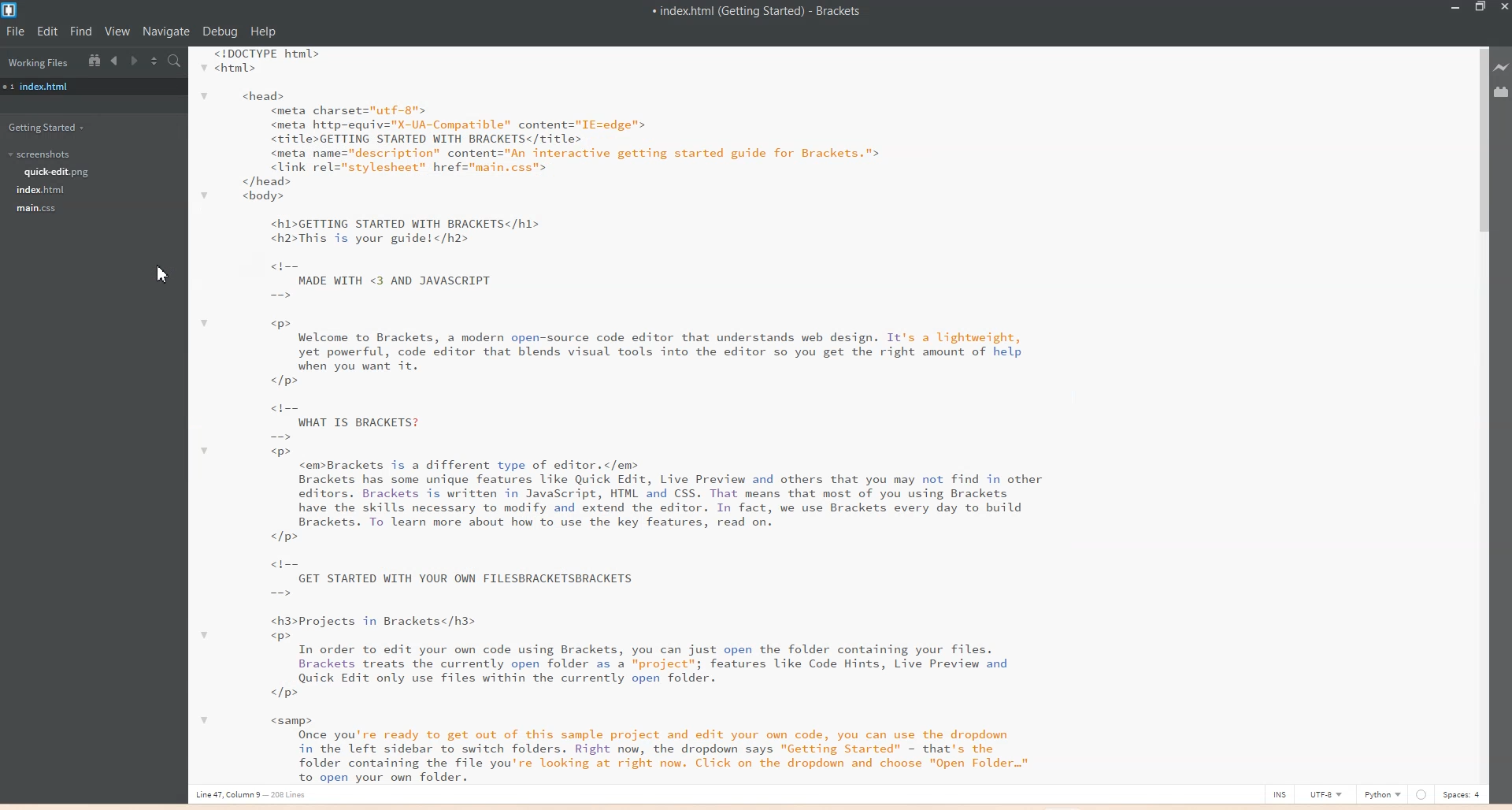  I want to click on Cursor, so click(163, 276).